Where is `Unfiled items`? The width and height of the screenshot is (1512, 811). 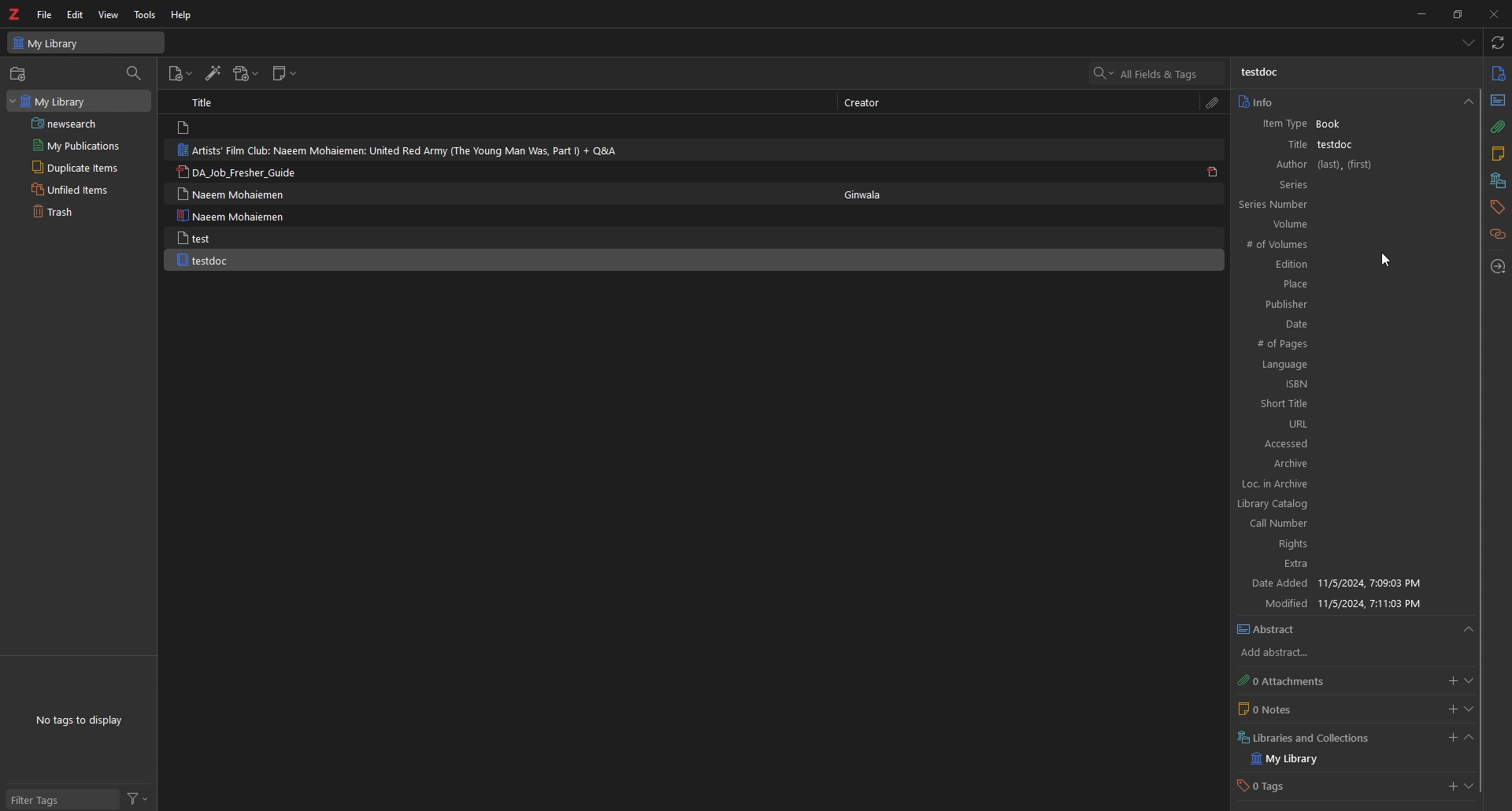 Unfiled items is located at coordinates (80, 189).